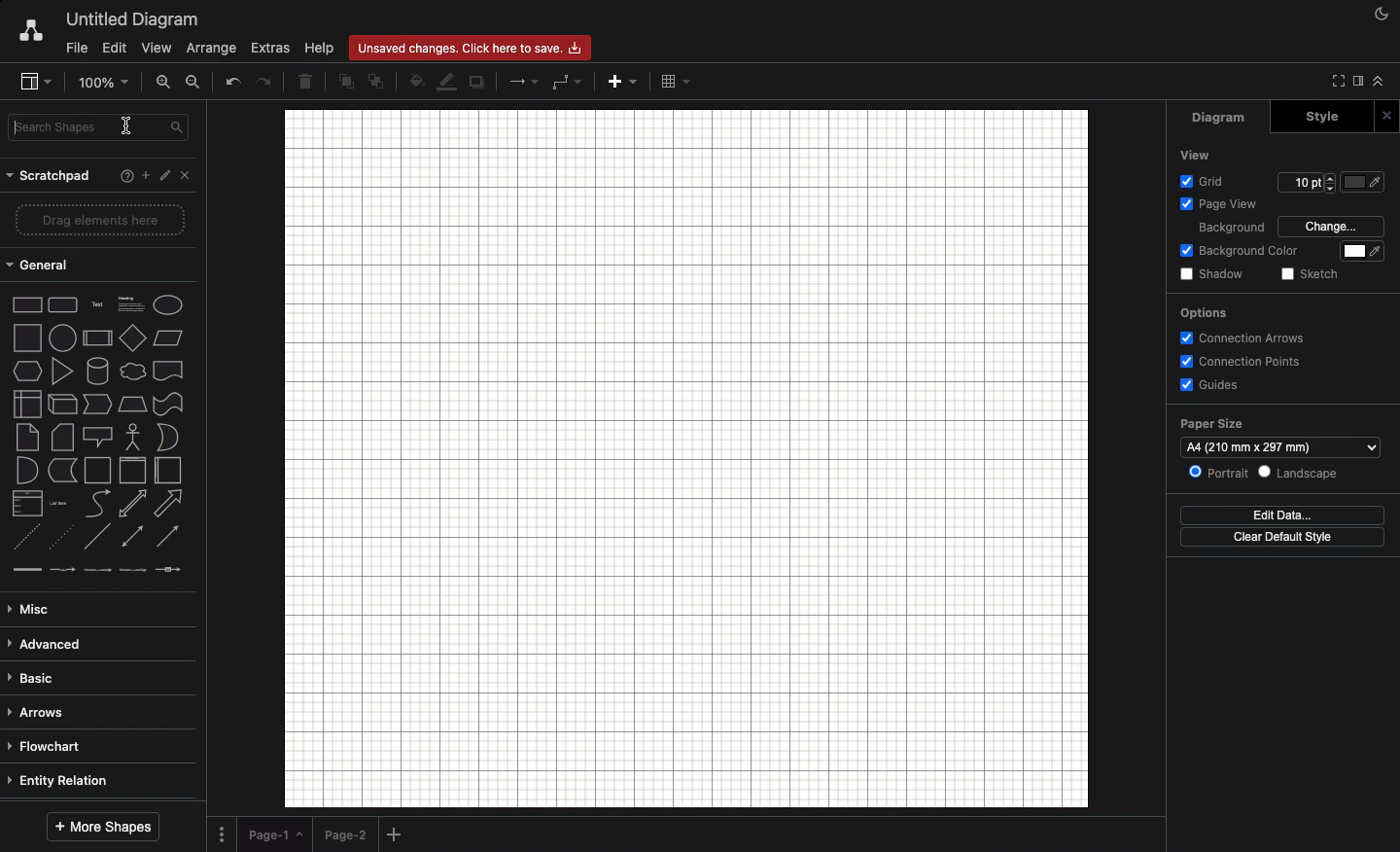 The width and height of the screenshot is (1400, 852). I want to click on Scratchpad, so click(49, 179).